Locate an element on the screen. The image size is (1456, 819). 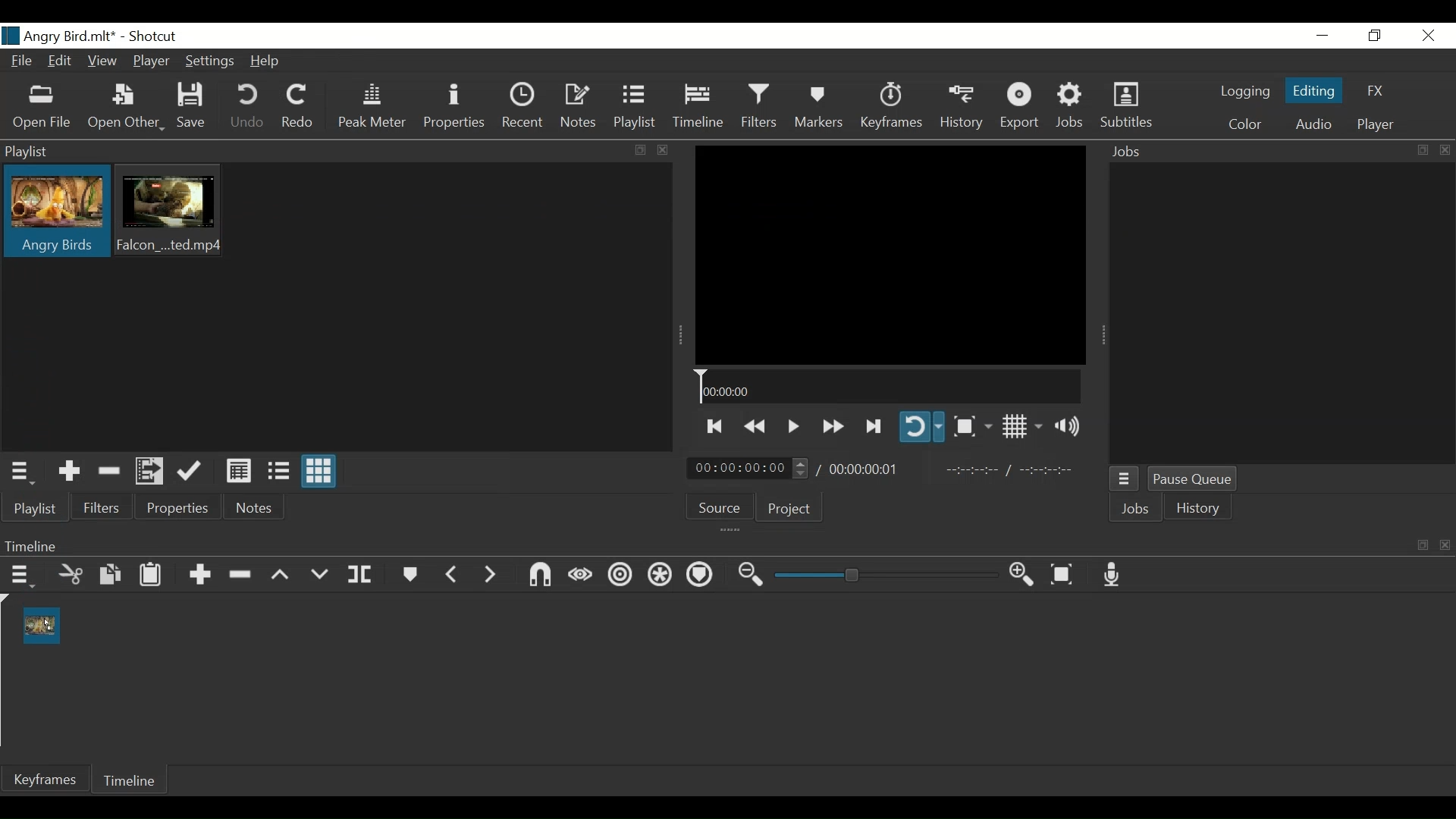
Zoom slider is located at coordinates (883, 577).